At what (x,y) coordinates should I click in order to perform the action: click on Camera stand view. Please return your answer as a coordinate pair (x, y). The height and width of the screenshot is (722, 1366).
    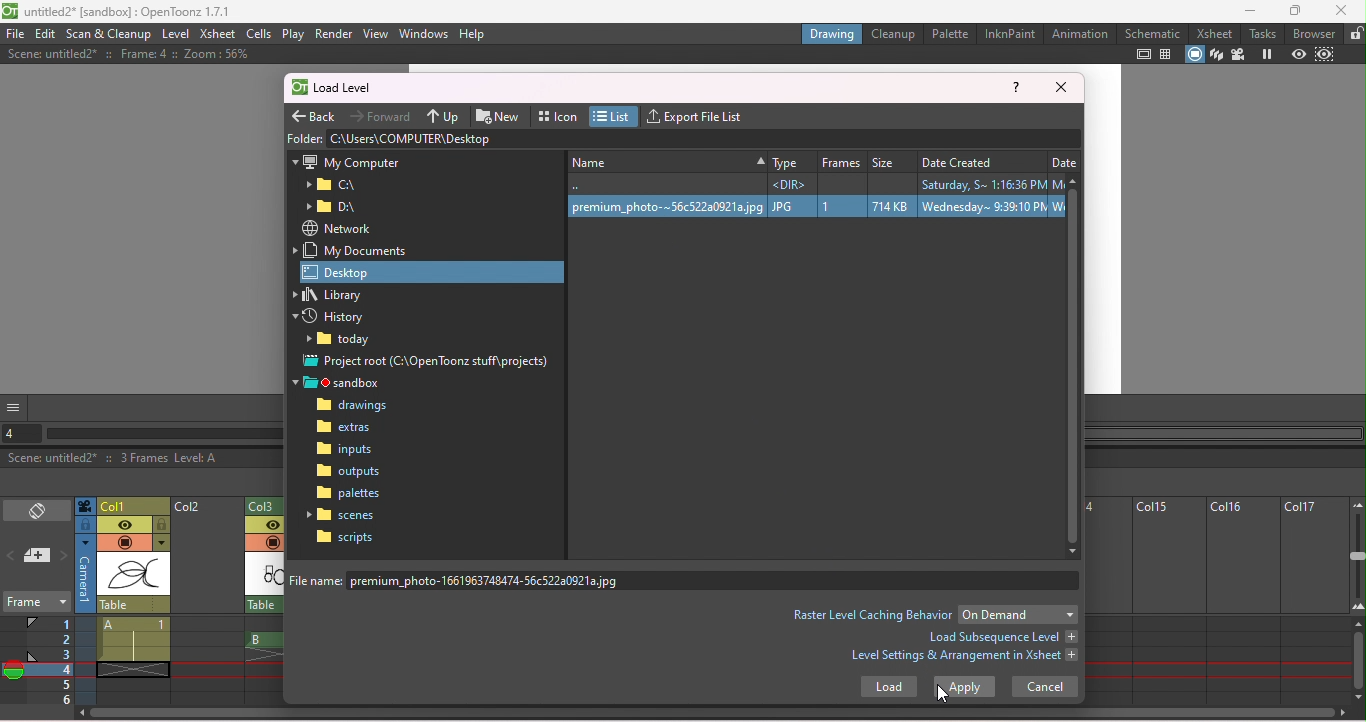
    Looking at the image, I should click on (1196, 55).